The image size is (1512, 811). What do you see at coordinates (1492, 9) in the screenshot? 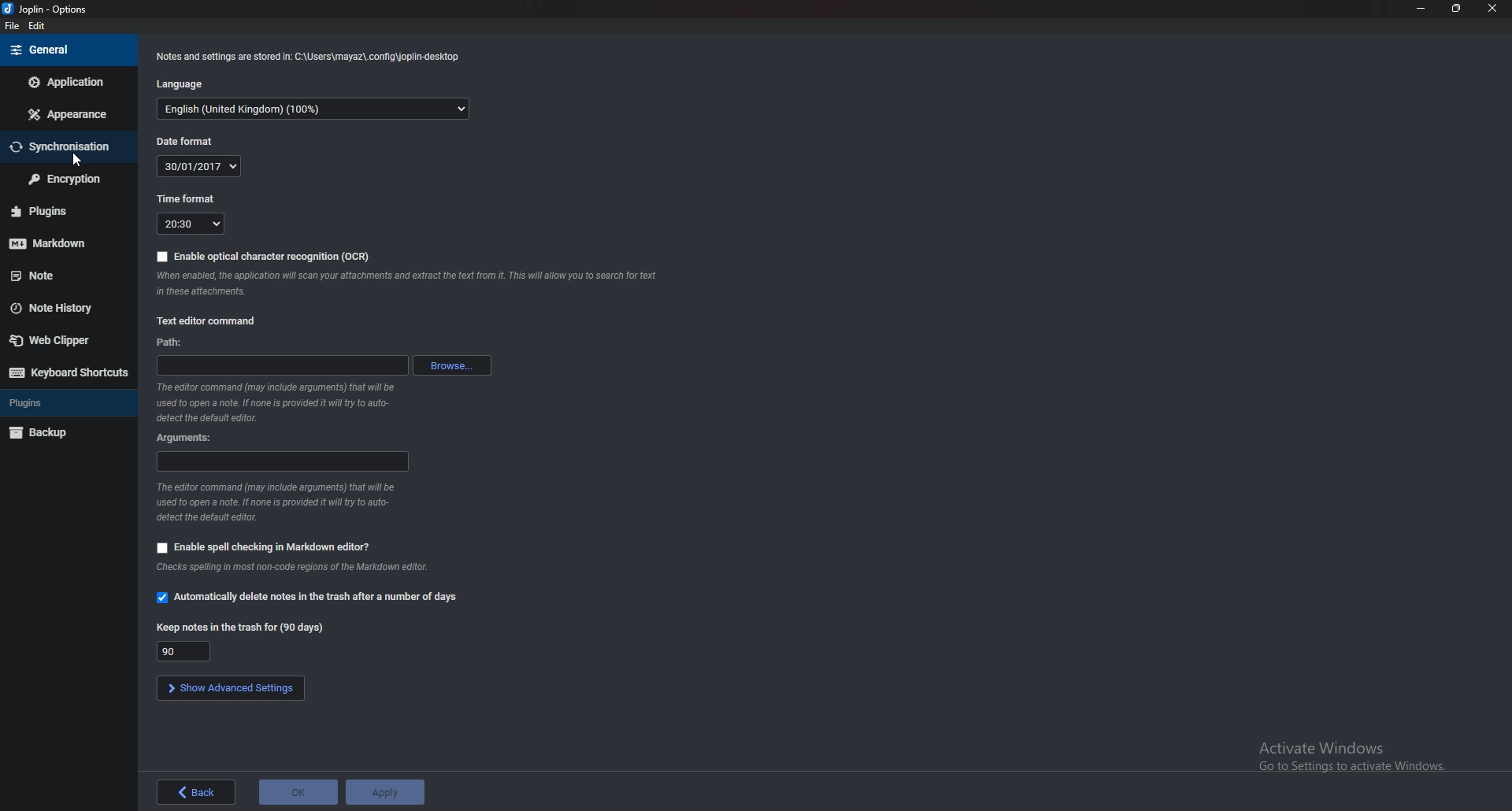
I see `close` at bounding box center [1492, 9].